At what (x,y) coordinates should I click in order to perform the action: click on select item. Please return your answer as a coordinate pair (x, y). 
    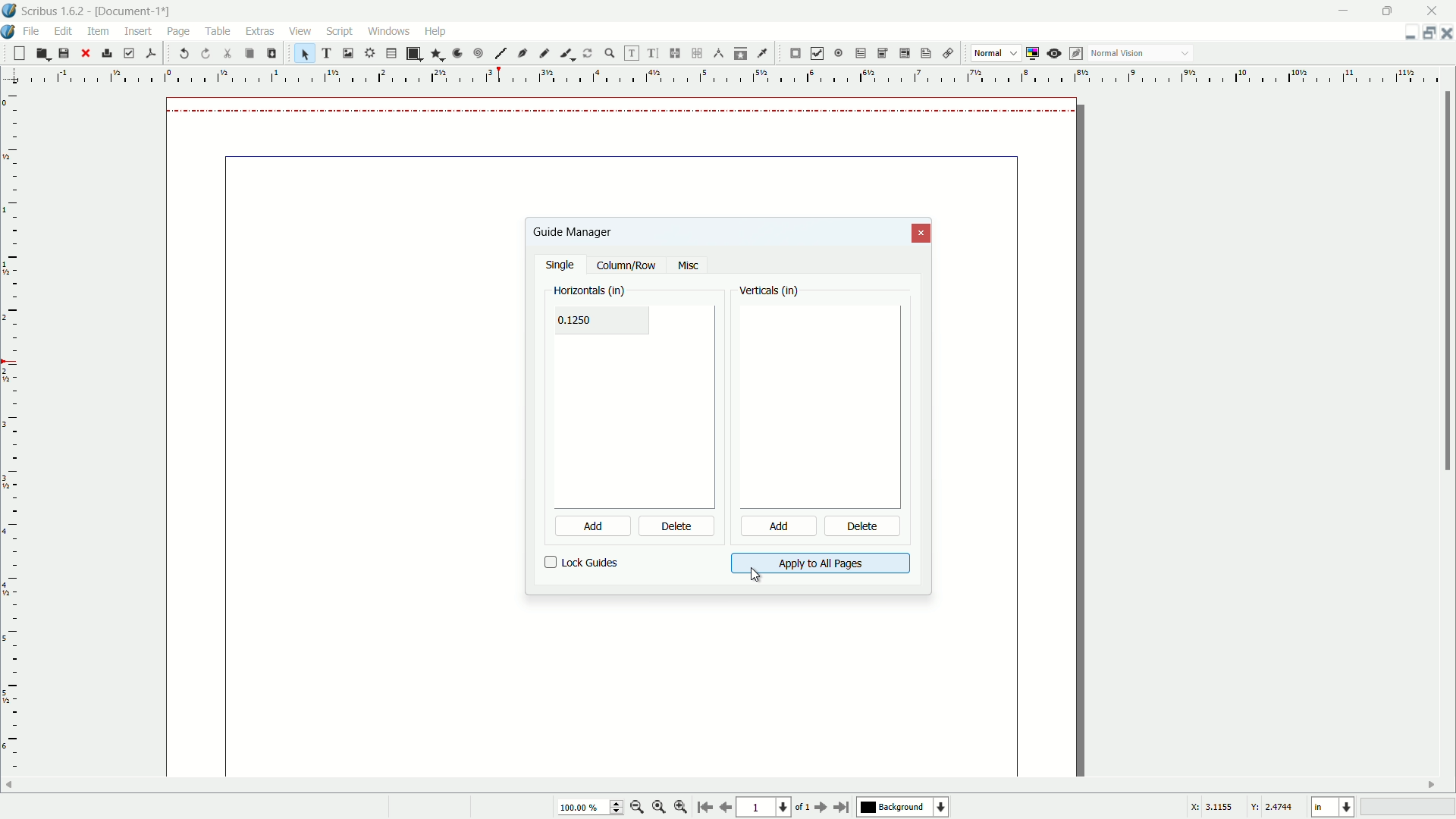
    Looking at the image, I should click on (305, 53).